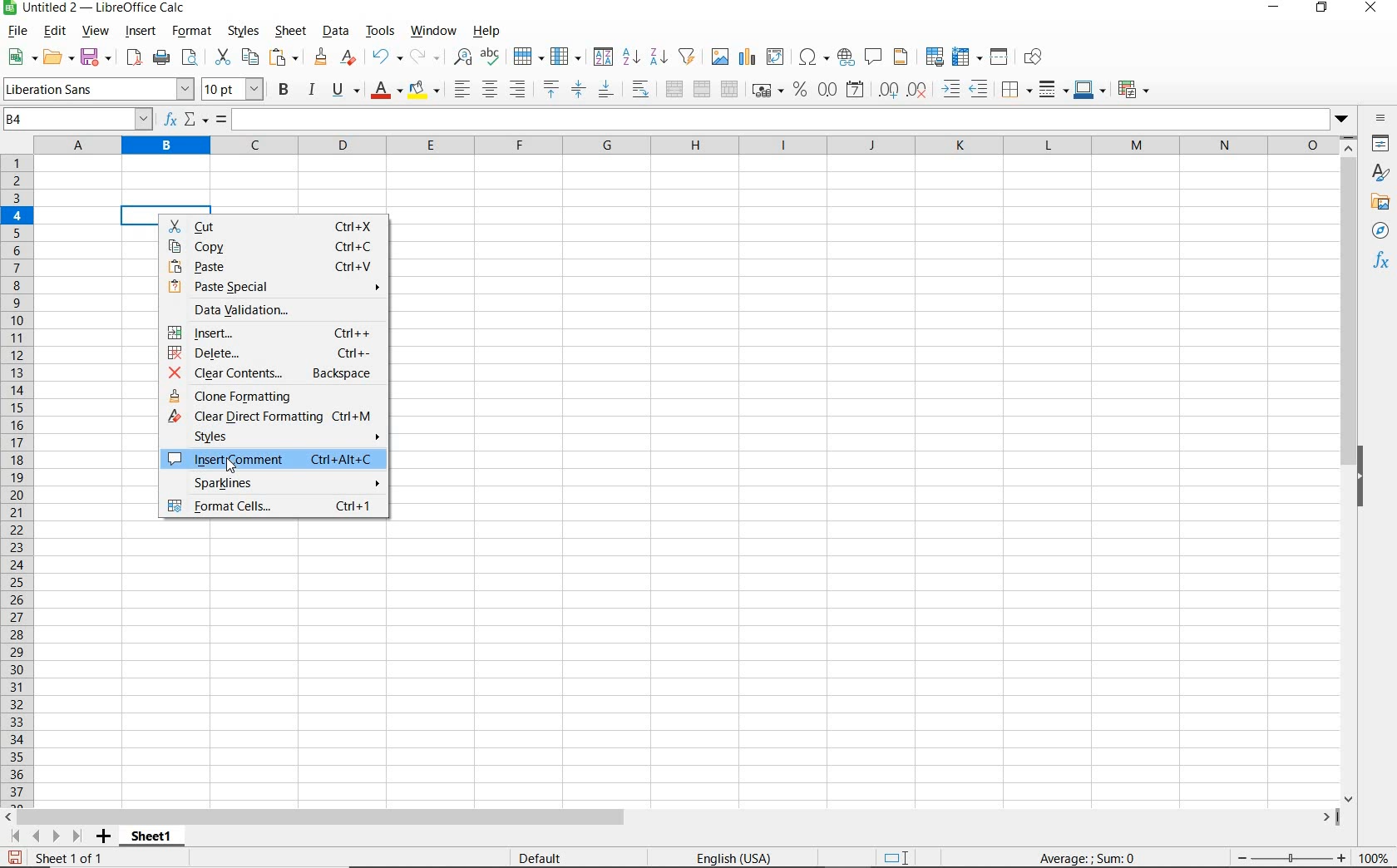 This screenshot has width=1397, height=868. I want to click on italic, so click(312, 91).